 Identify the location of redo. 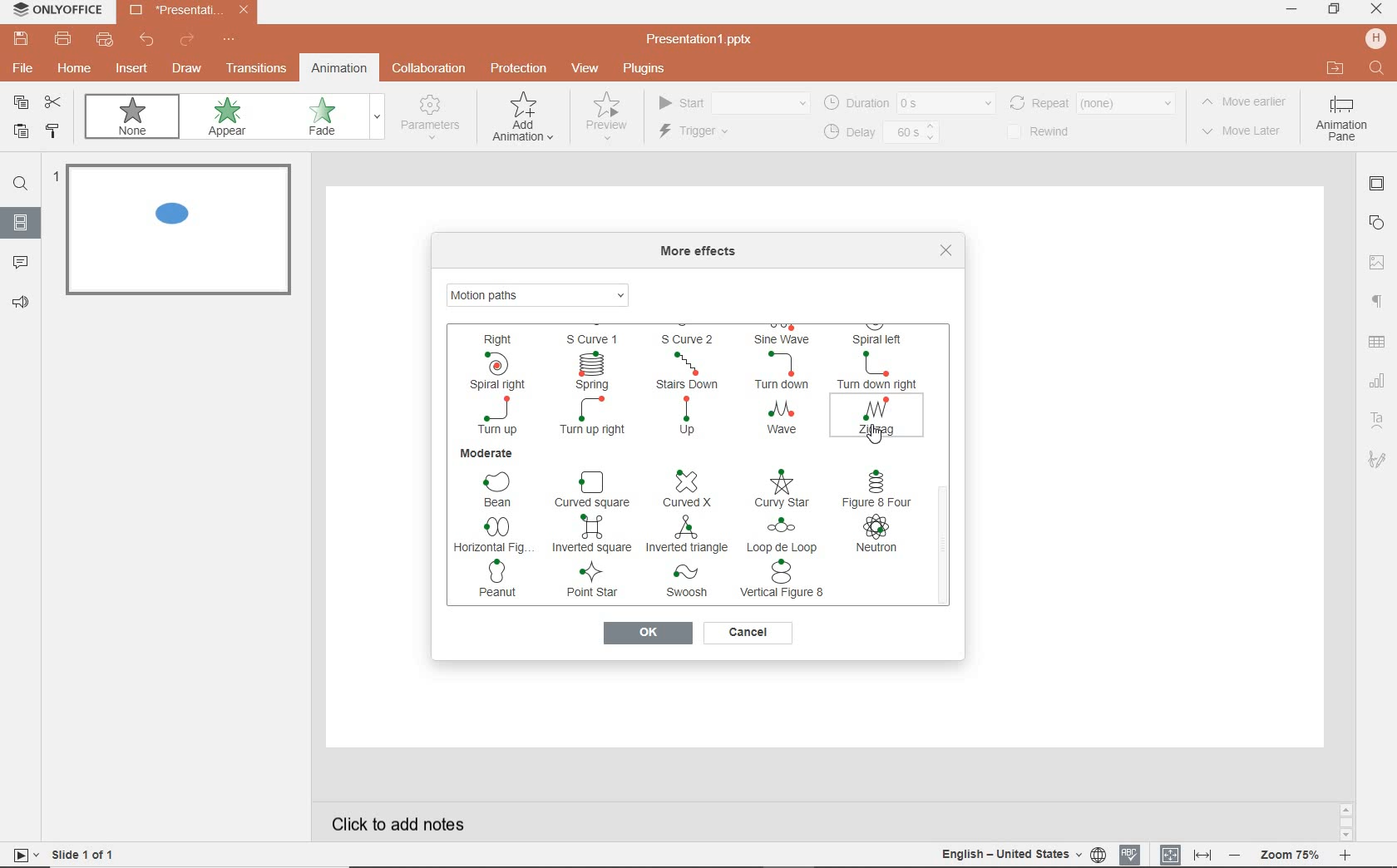
(186, 41).